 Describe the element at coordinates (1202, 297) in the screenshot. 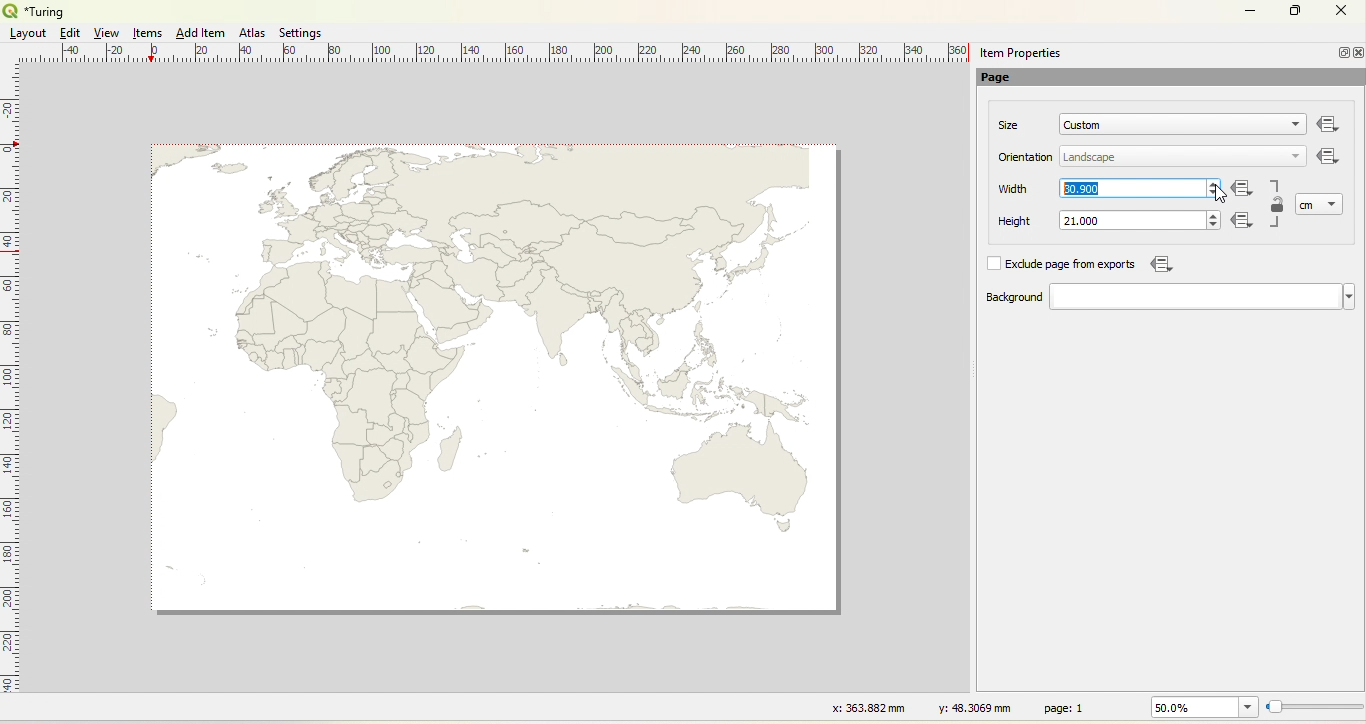

I see `dropdown` at that location.